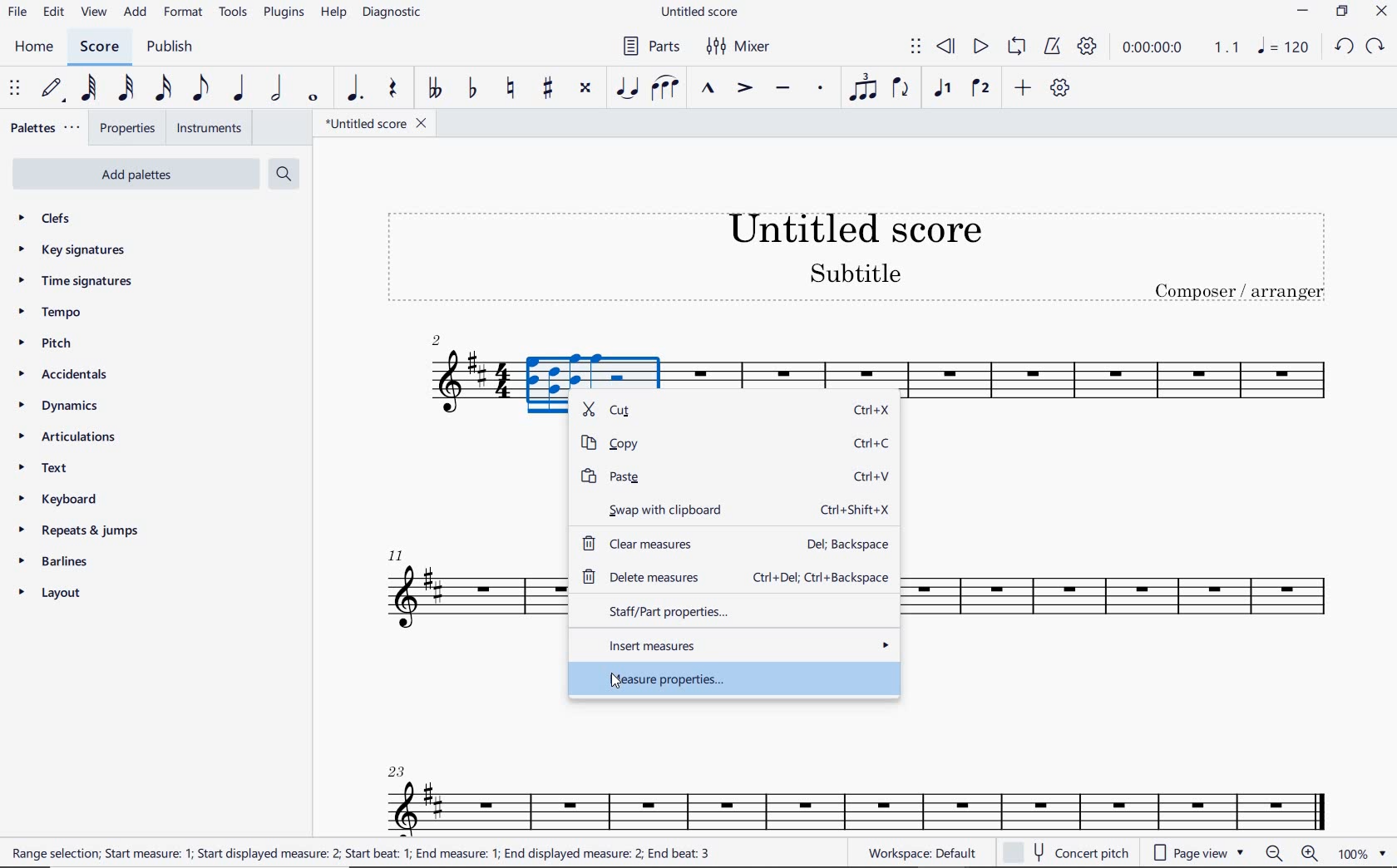  I want to click on INSTRUMENTS, so click(205, 127).